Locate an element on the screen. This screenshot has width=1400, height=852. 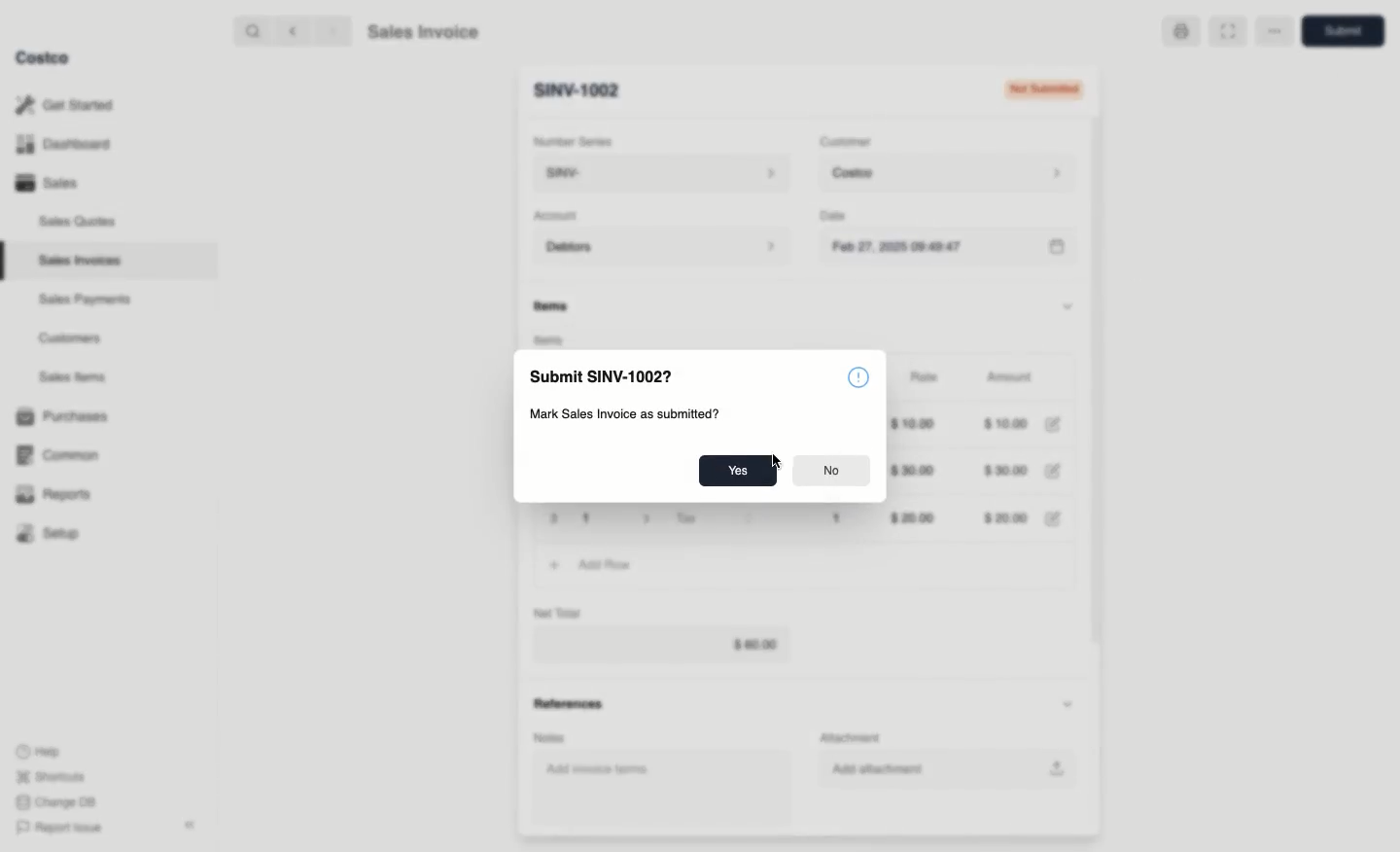
search is located at coordinates (249, 30).